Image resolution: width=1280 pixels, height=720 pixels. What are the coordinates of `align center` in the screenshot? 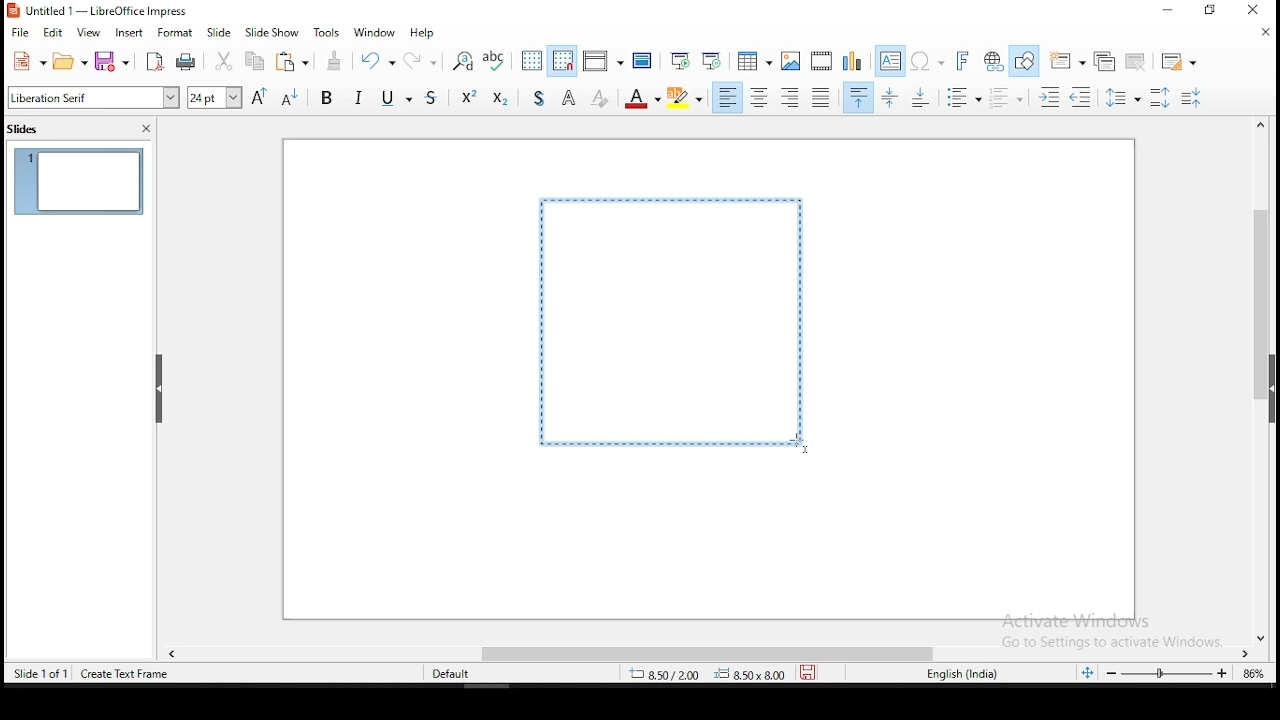 It's located at (760, 98).